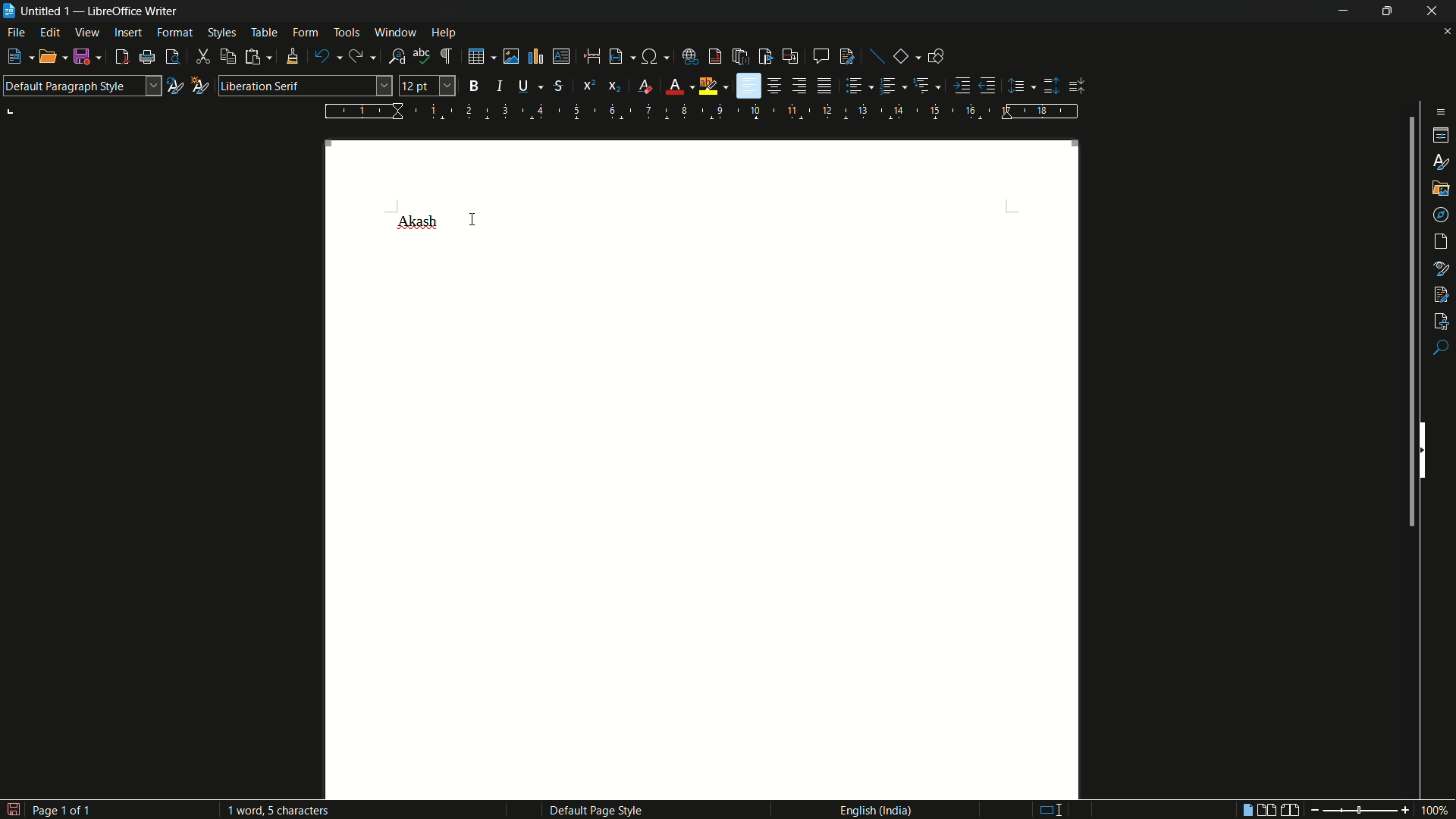  Describe the element at coordinates (1442, 242) in the screenshot. I see `page` at that location.